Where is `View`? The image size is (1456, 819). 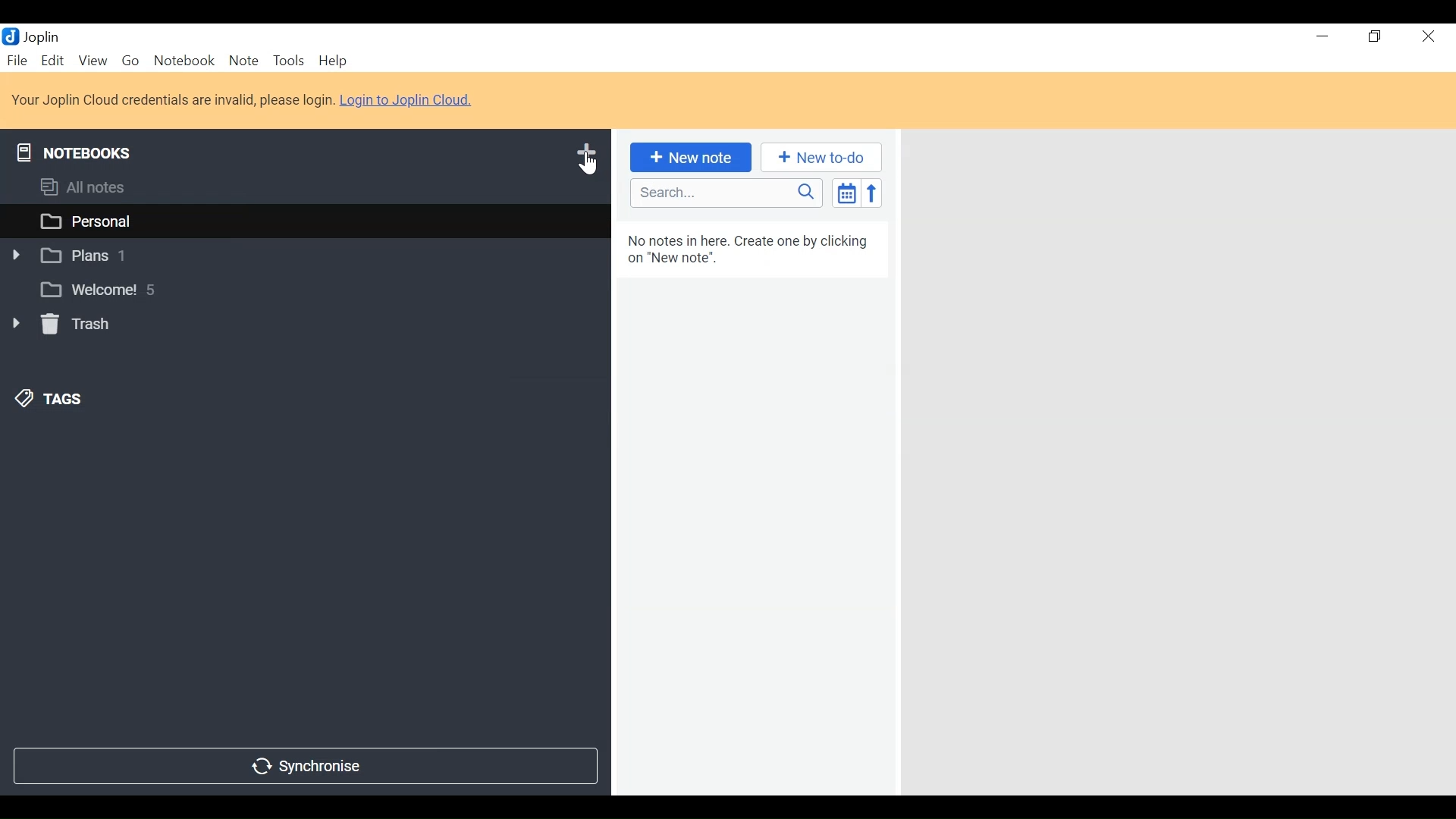
View is located at coordinates (92, 60).